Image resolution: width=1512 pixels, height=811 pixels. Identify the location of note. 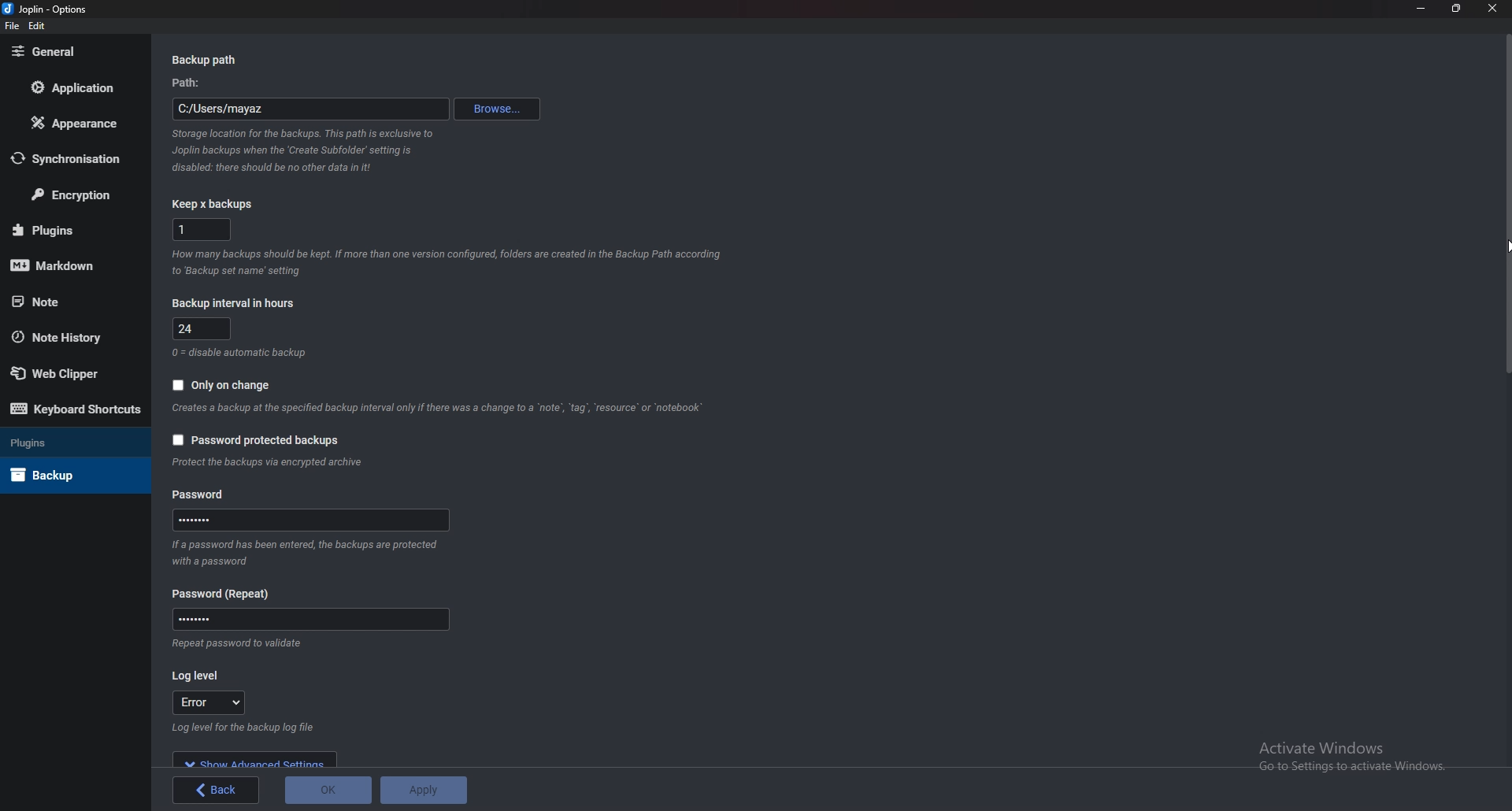
(64, 302).